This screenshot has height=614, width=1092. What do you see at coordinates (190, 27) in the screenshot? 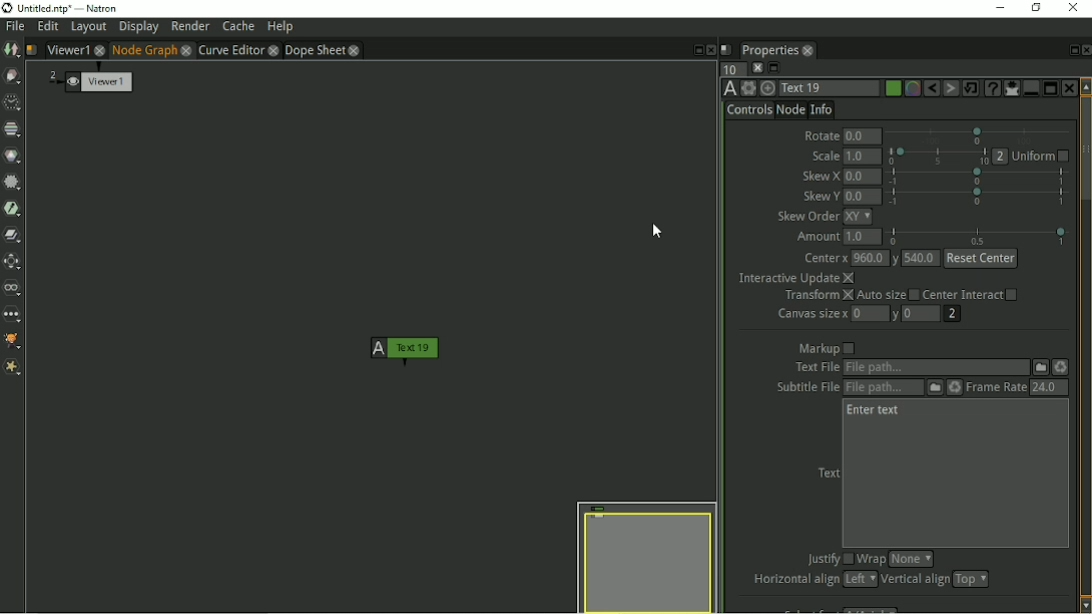
I see `Render` at bounding box center [190, 27].